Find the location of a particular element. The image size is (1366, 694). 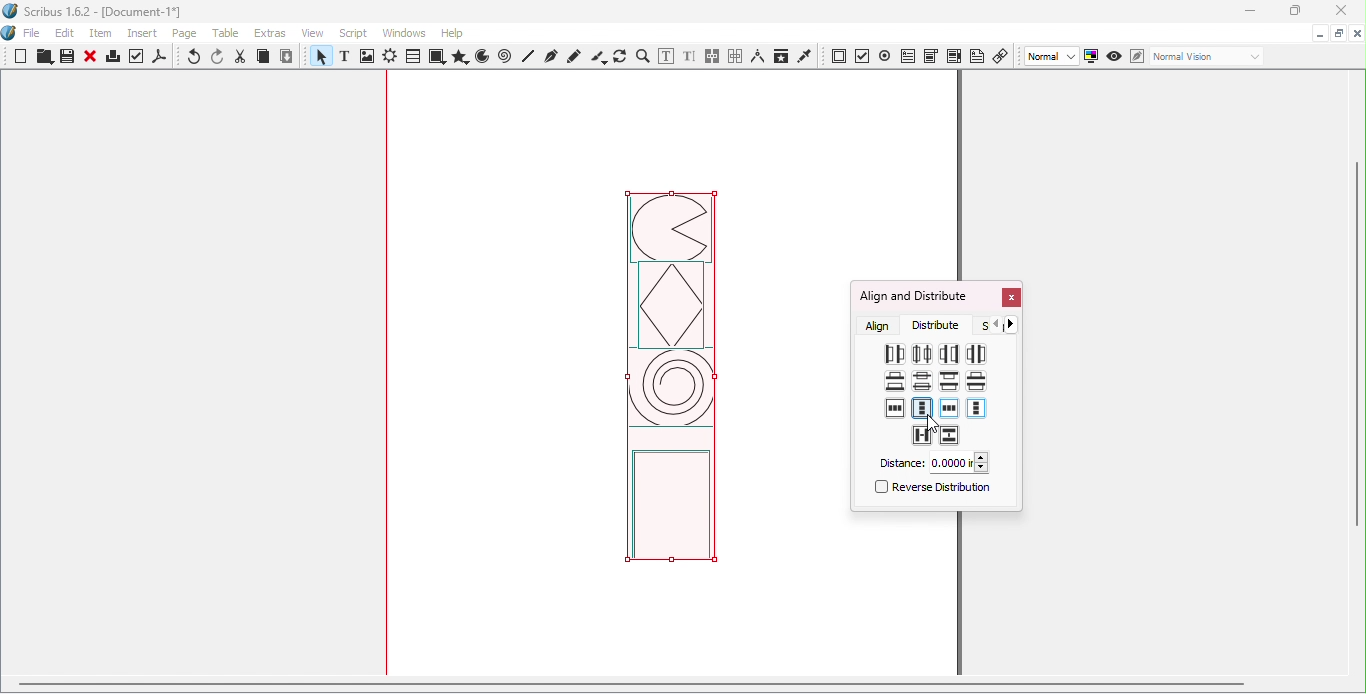

Text frame is located at coordinates (348, 58).